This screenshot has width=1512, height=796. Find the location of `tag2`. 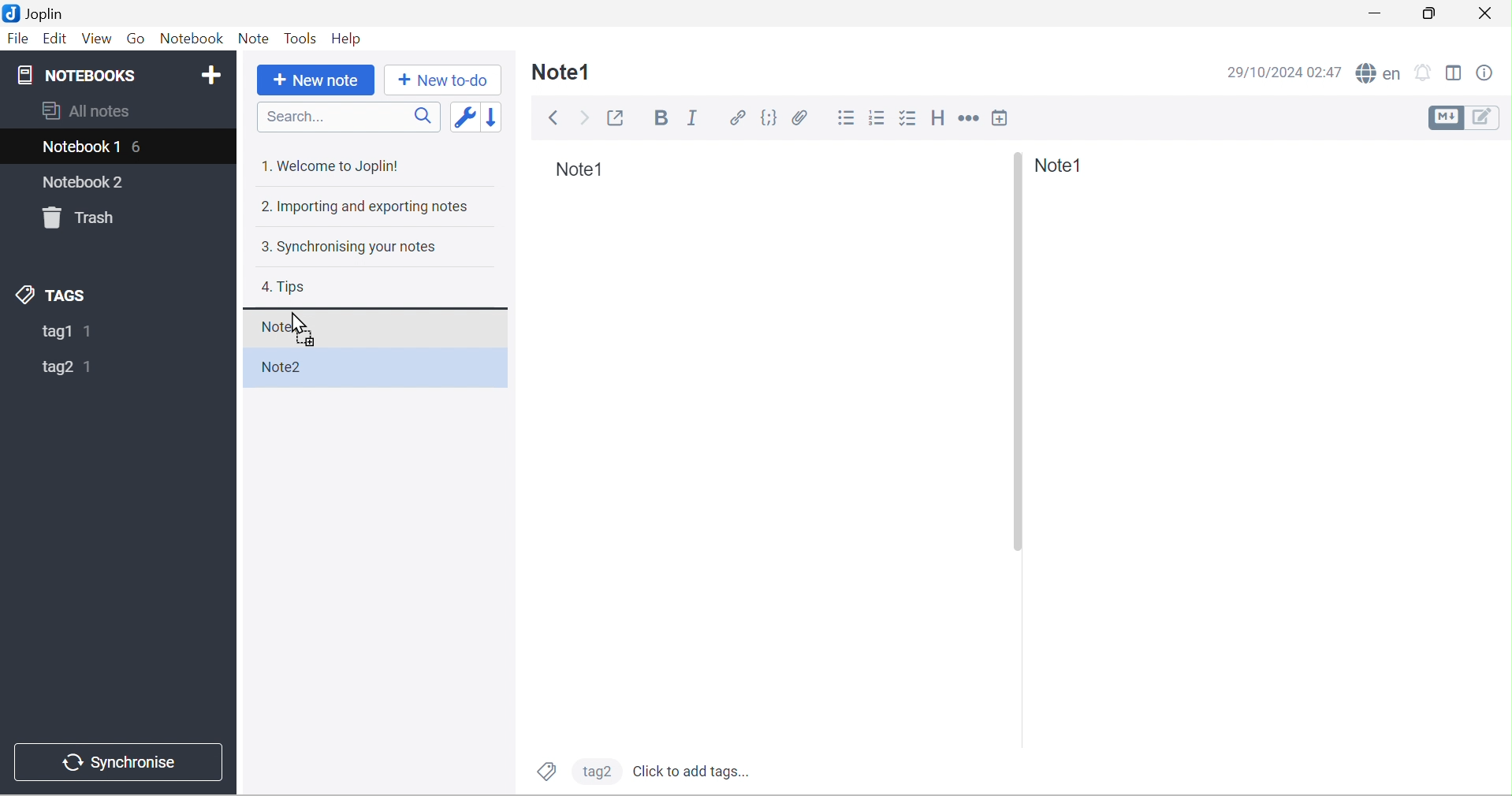

tag2 is located at coordinates (56, 370).